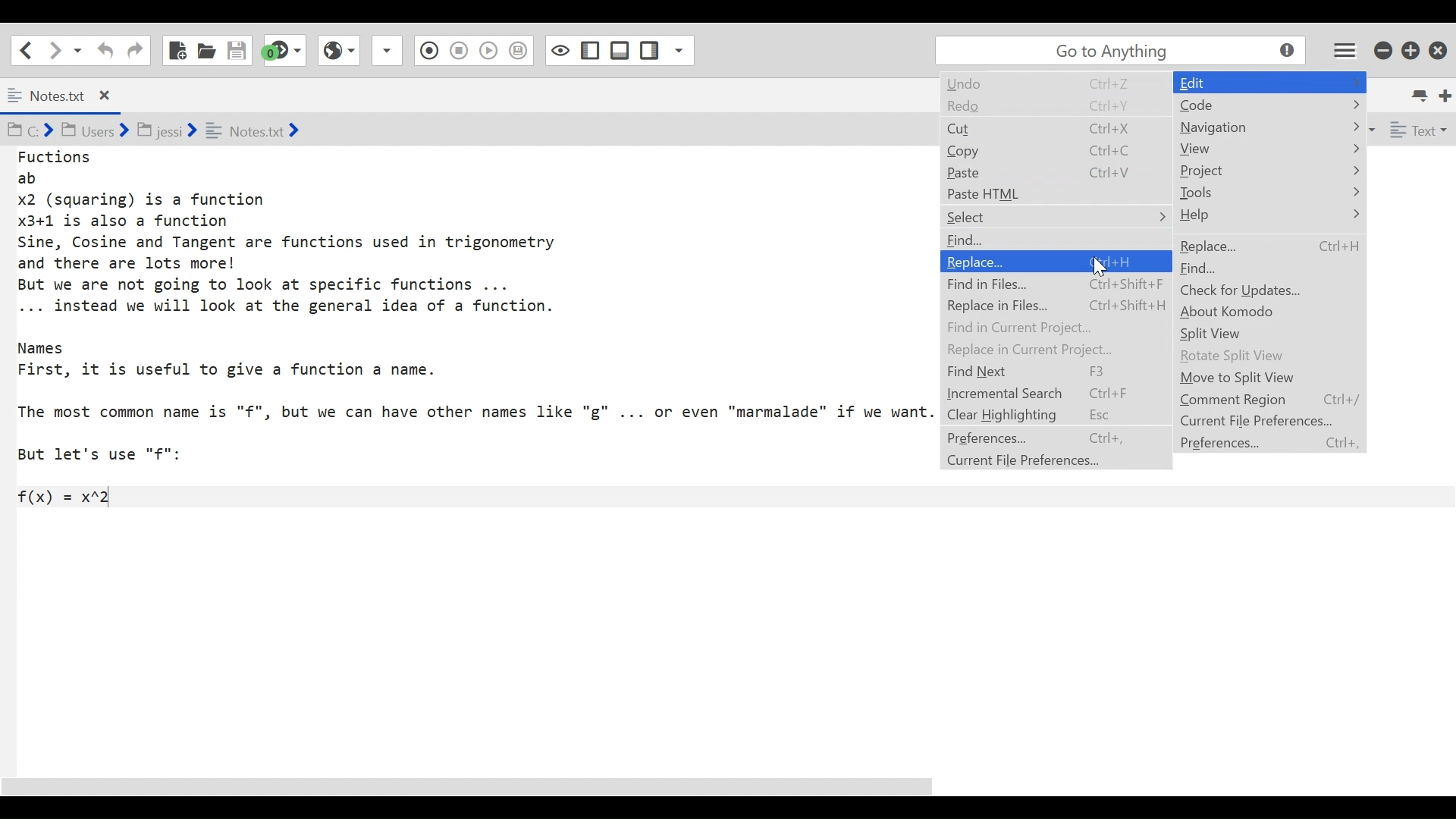  I want to click on Play Last Macro, so click(338, 49).